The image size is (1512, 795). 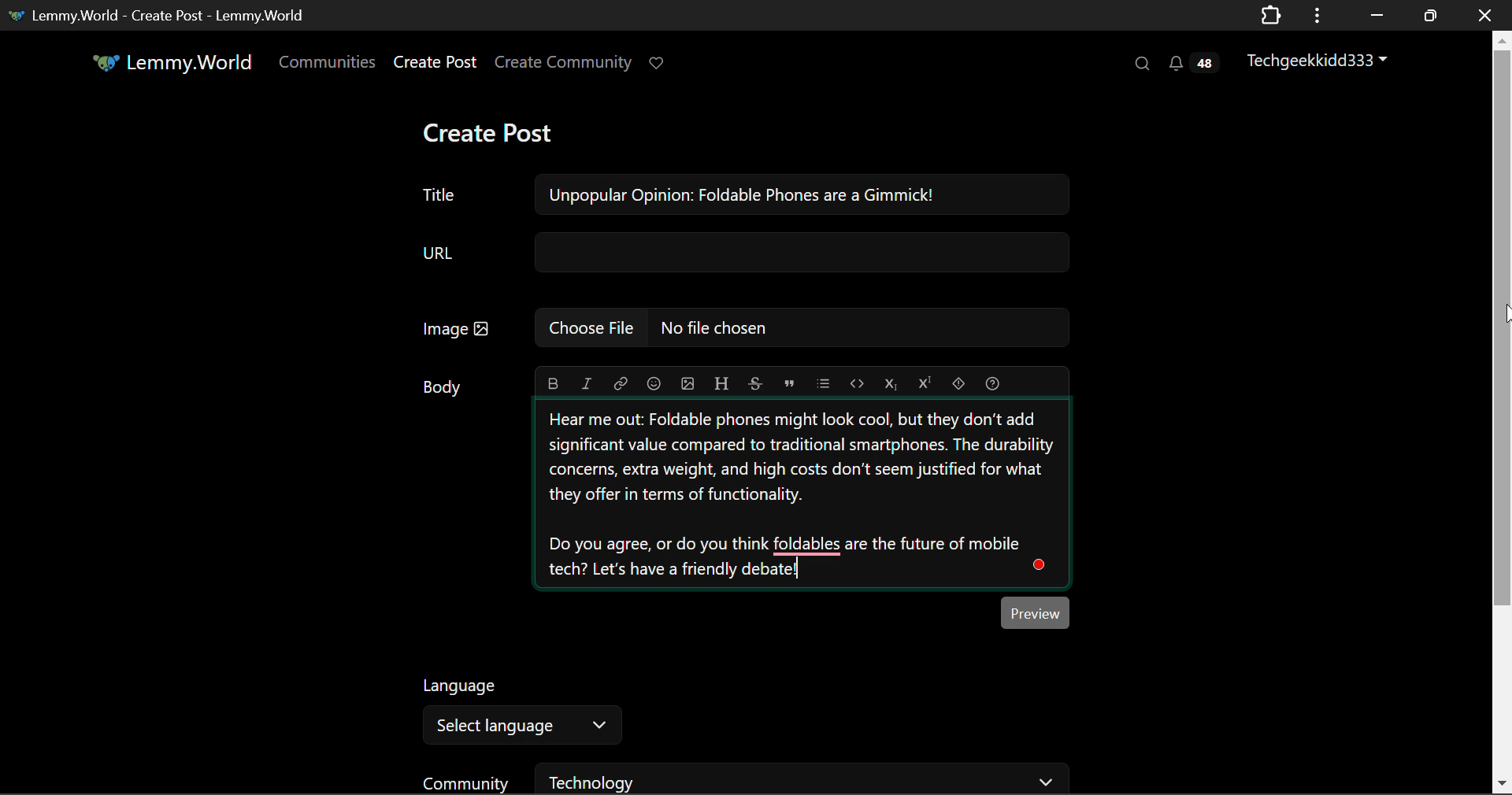 What do you see at coordinates (747, 779) in the screenshot?
I see `Select Post Community` at bounding box center [747, 779].